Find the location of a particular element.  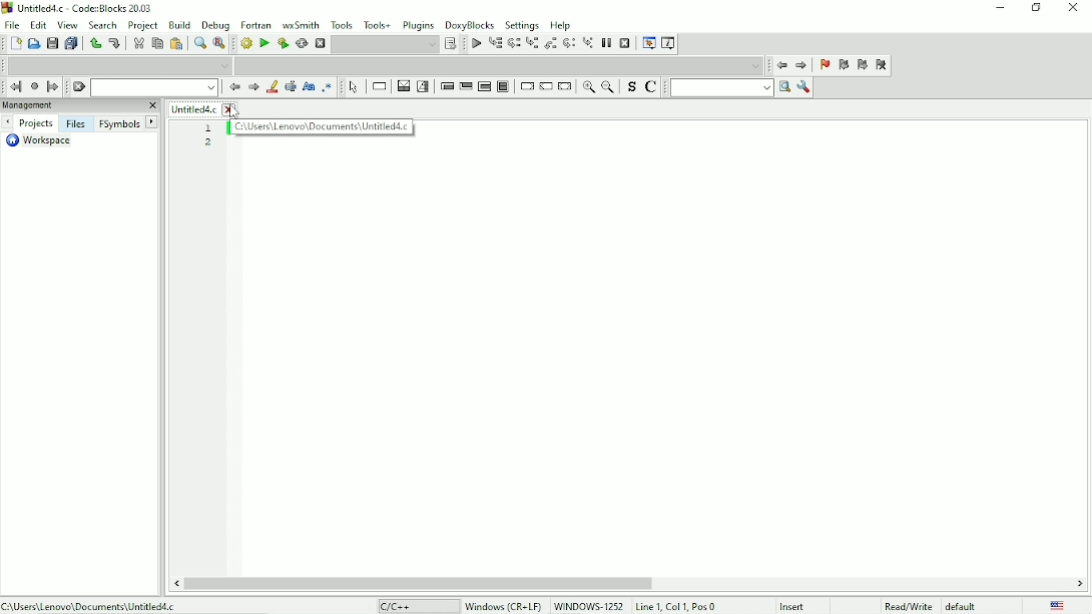

Selected text is located at coordinates (290, 87).